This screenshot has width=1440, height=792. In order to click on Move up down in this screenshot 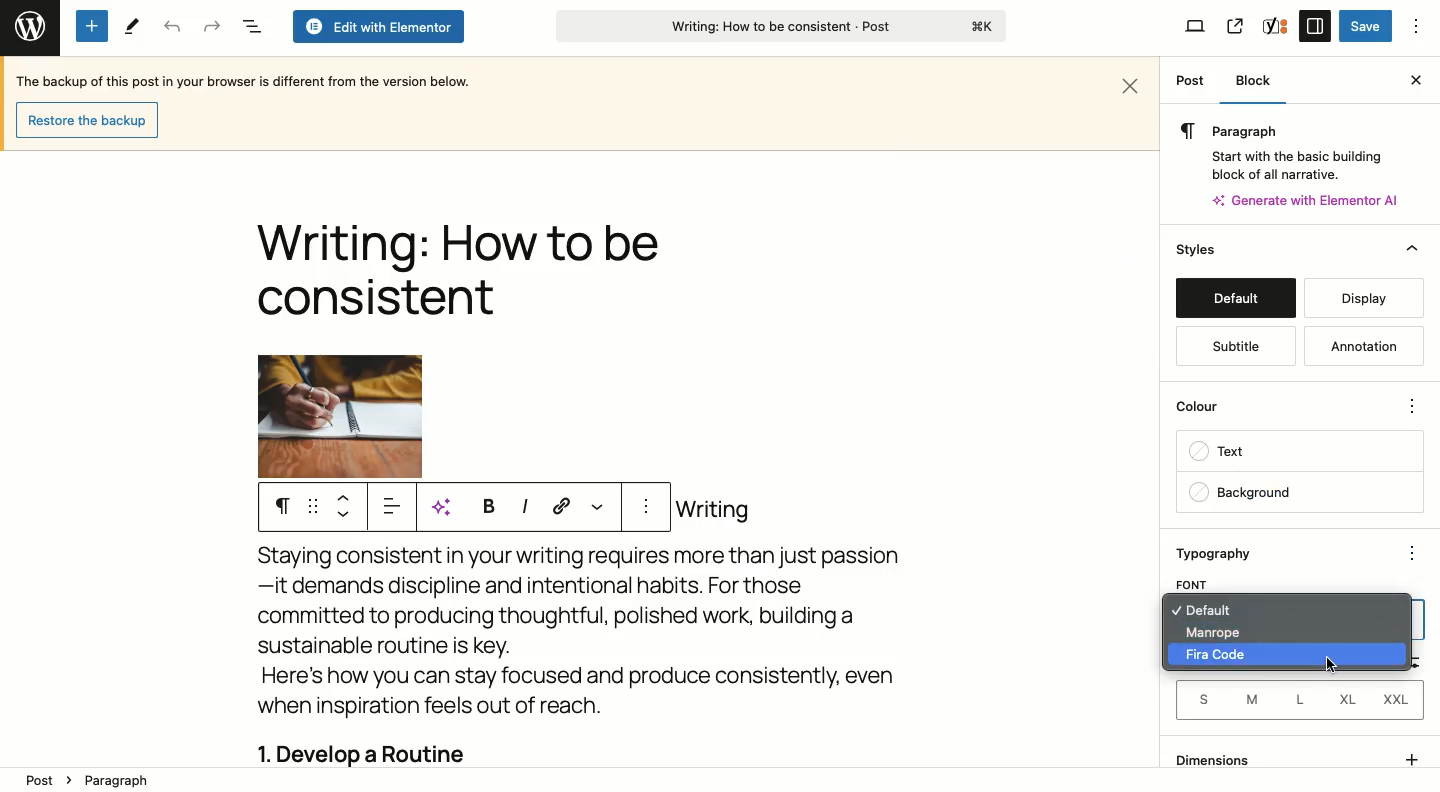, I will do `click(348, 506)`.